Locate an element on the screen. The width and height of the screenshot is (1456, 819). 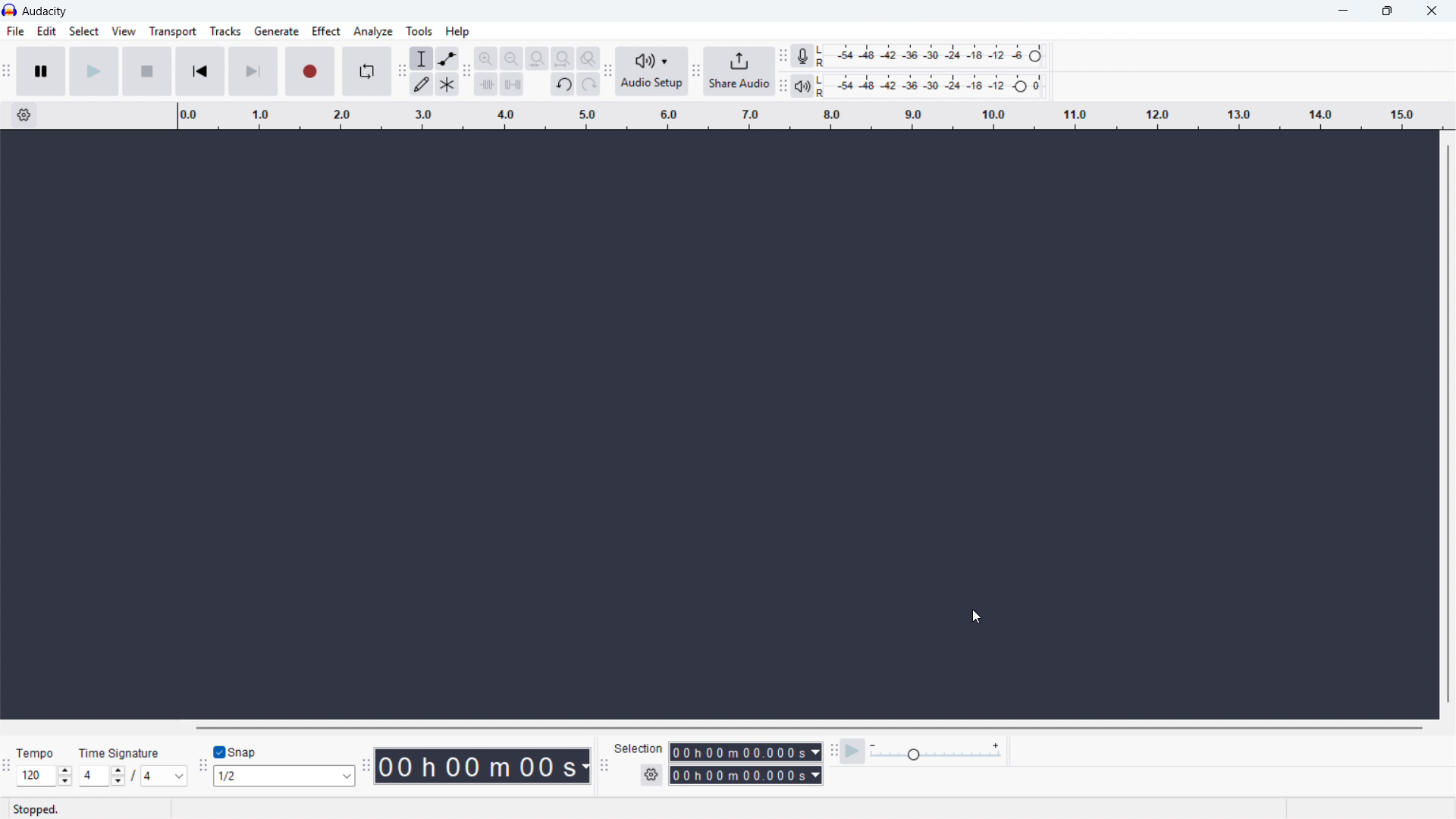
playback level is located at coordinates (935, 85).